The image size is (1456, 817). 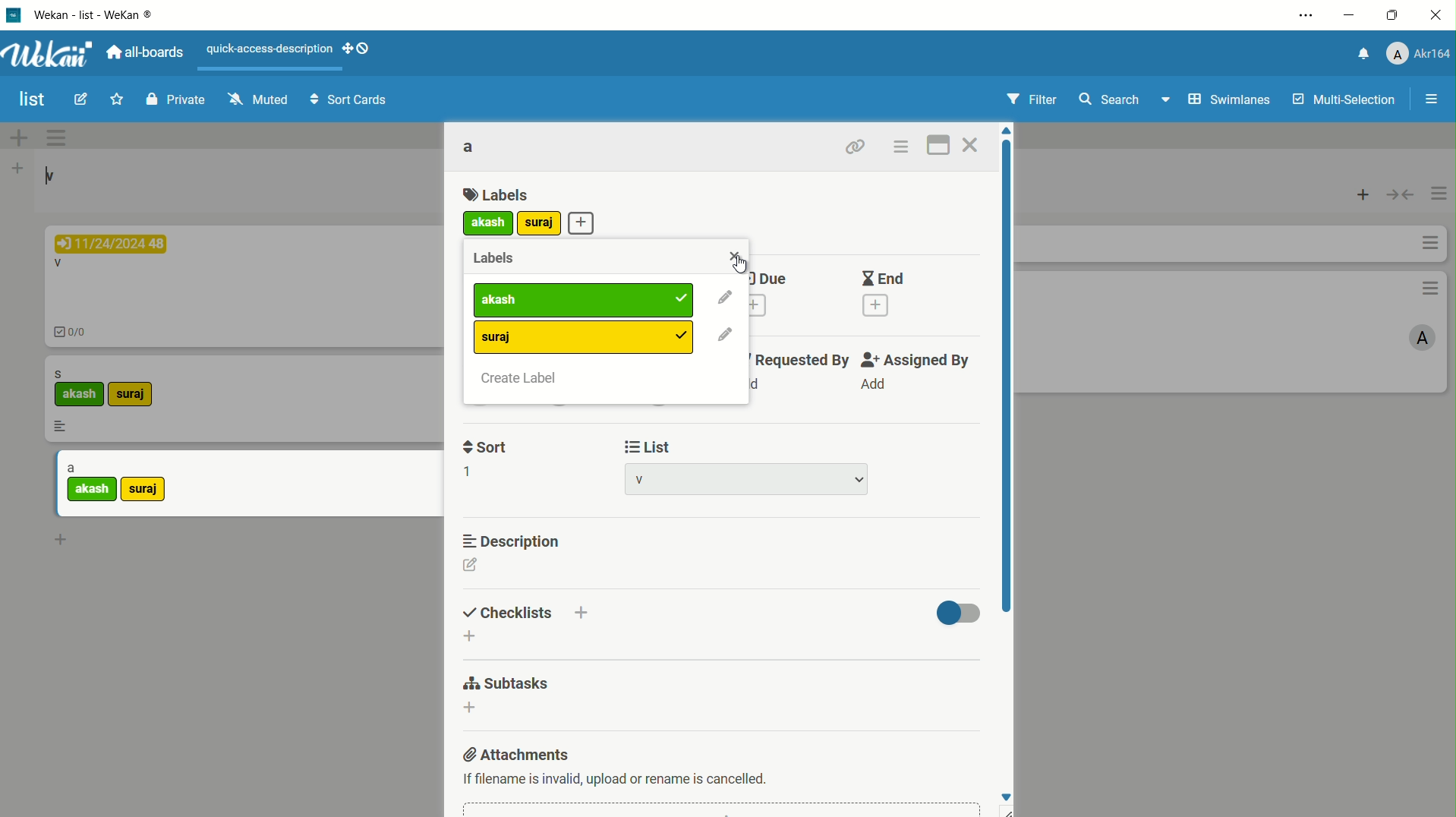 I want to click on private, so click(x=173, y=102).